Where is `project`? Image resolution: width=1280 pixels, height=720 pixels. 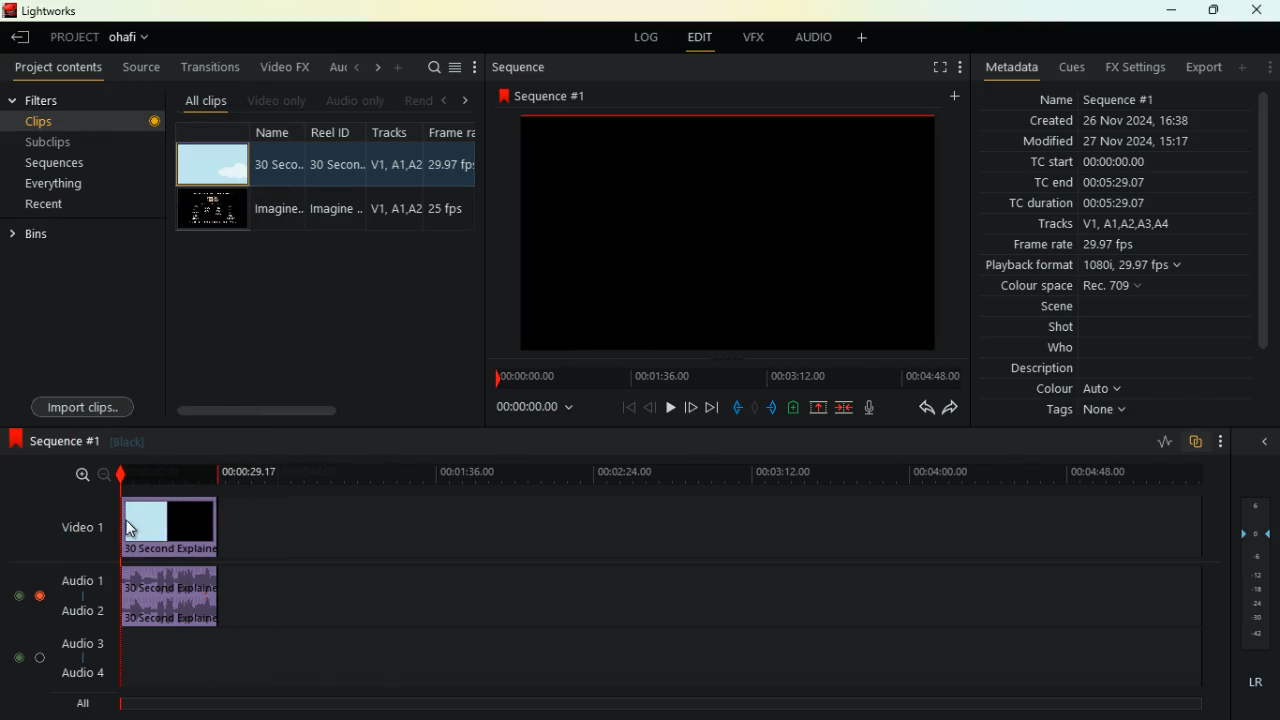 project is located at coordinates (106, 38).